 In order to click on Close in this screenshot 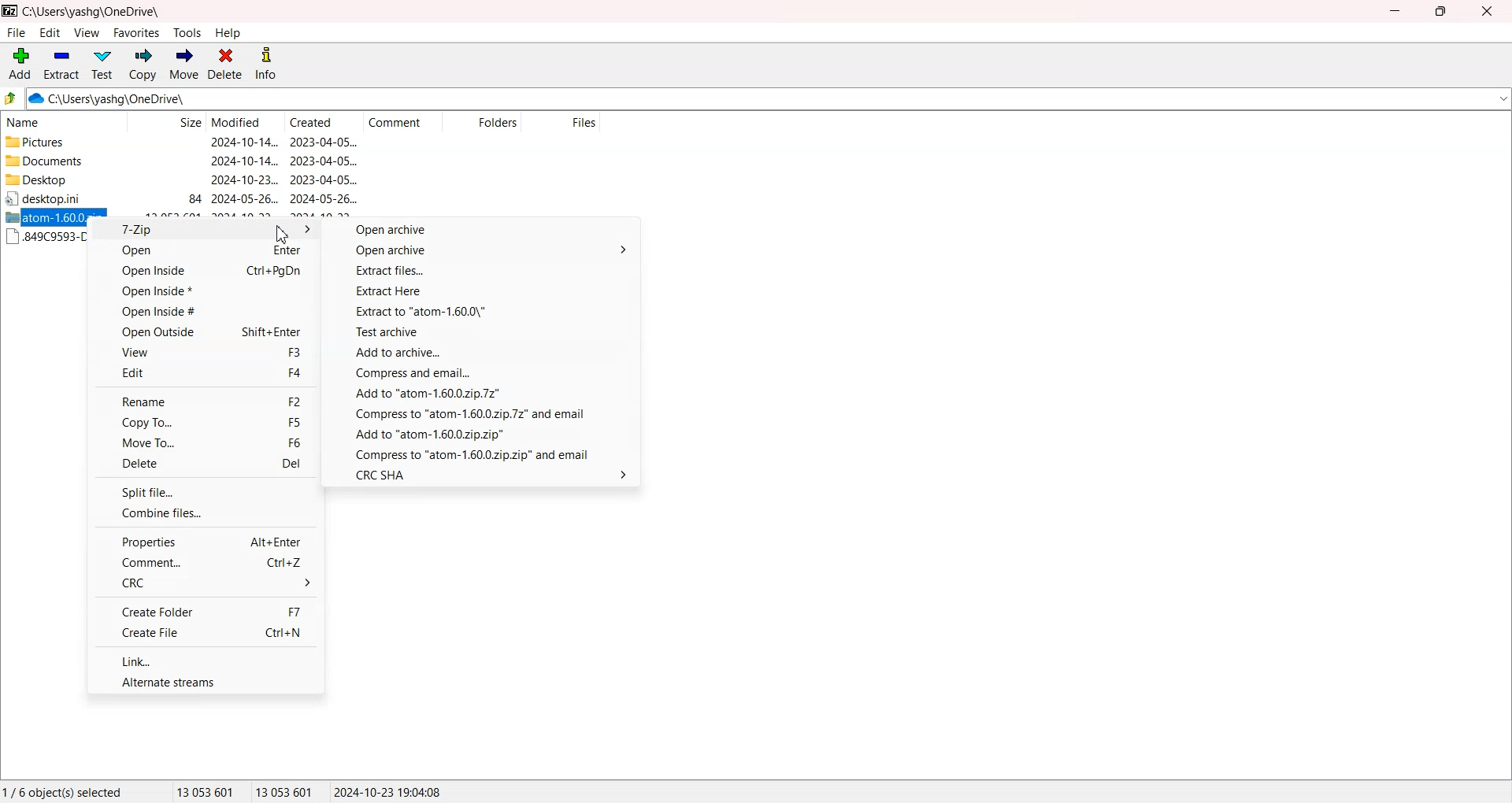, I will do `click(1485, 11)`.